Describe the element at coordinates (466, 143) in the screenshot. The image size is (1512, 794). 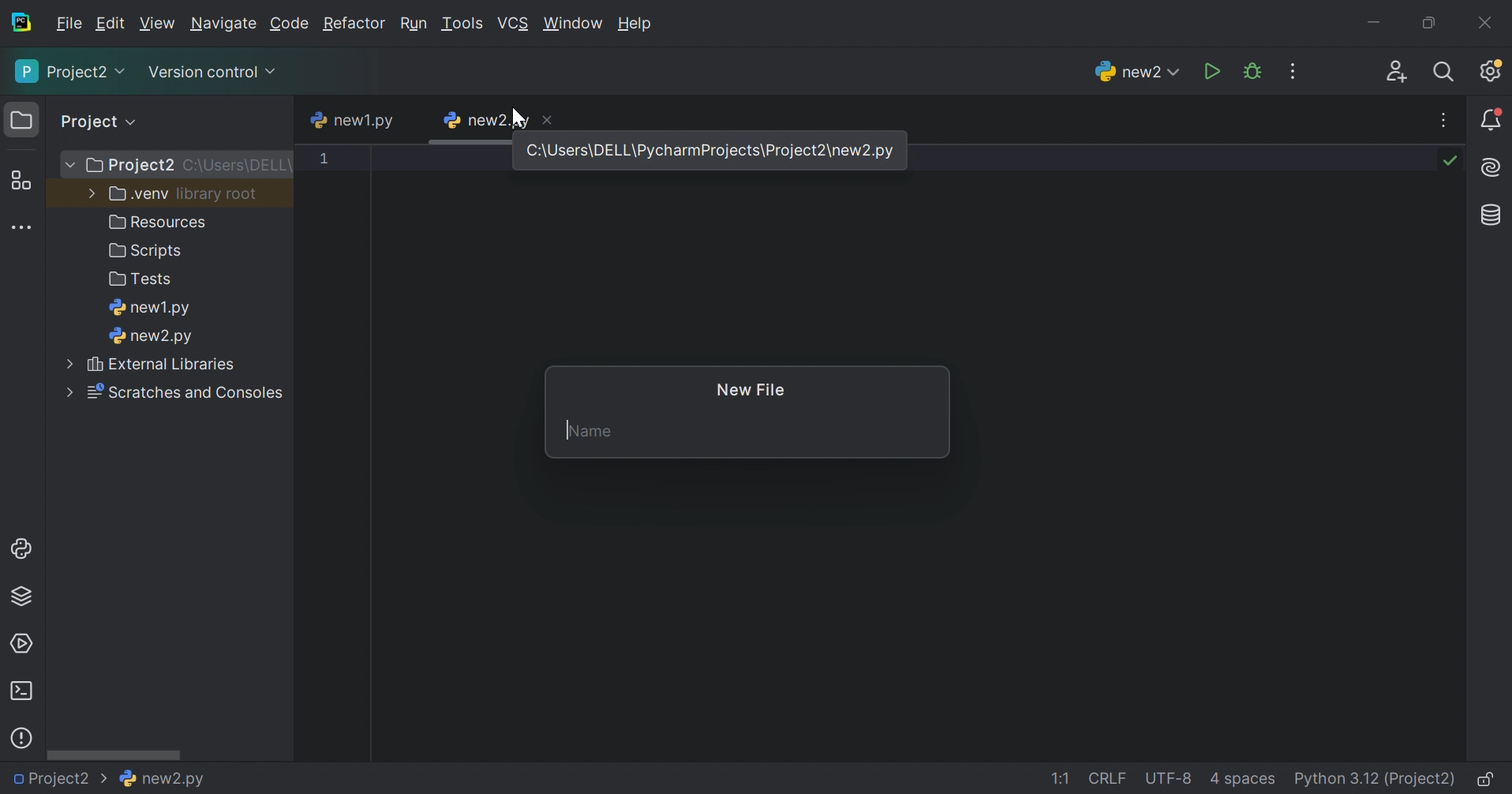
I see `scroll bar` at that location.